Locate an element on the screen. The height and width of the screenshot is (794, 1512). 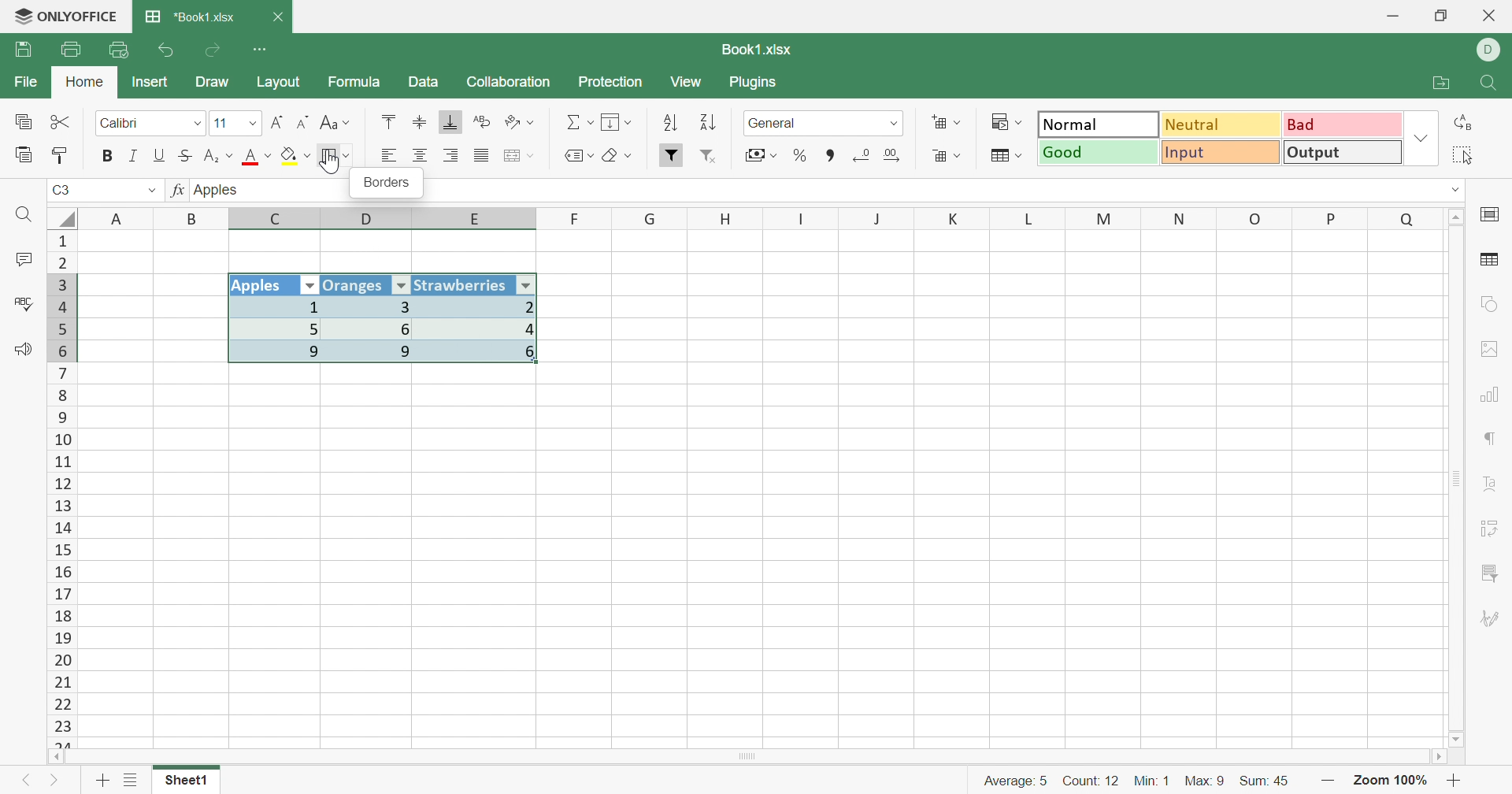
E is located at coordinates (480, 221).